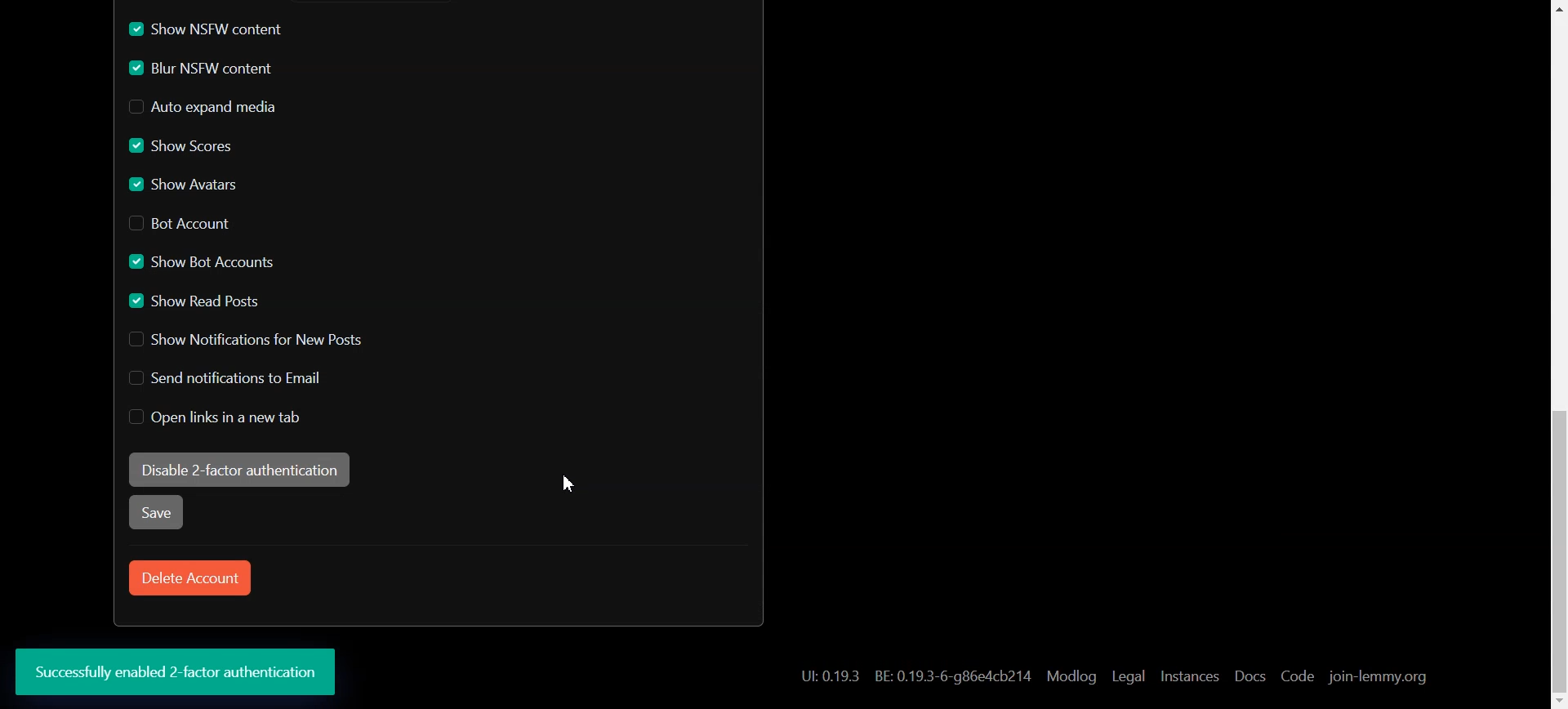 The image size is (1568, 709). I want to click on Disable Auto expand media, so click(230, 108).